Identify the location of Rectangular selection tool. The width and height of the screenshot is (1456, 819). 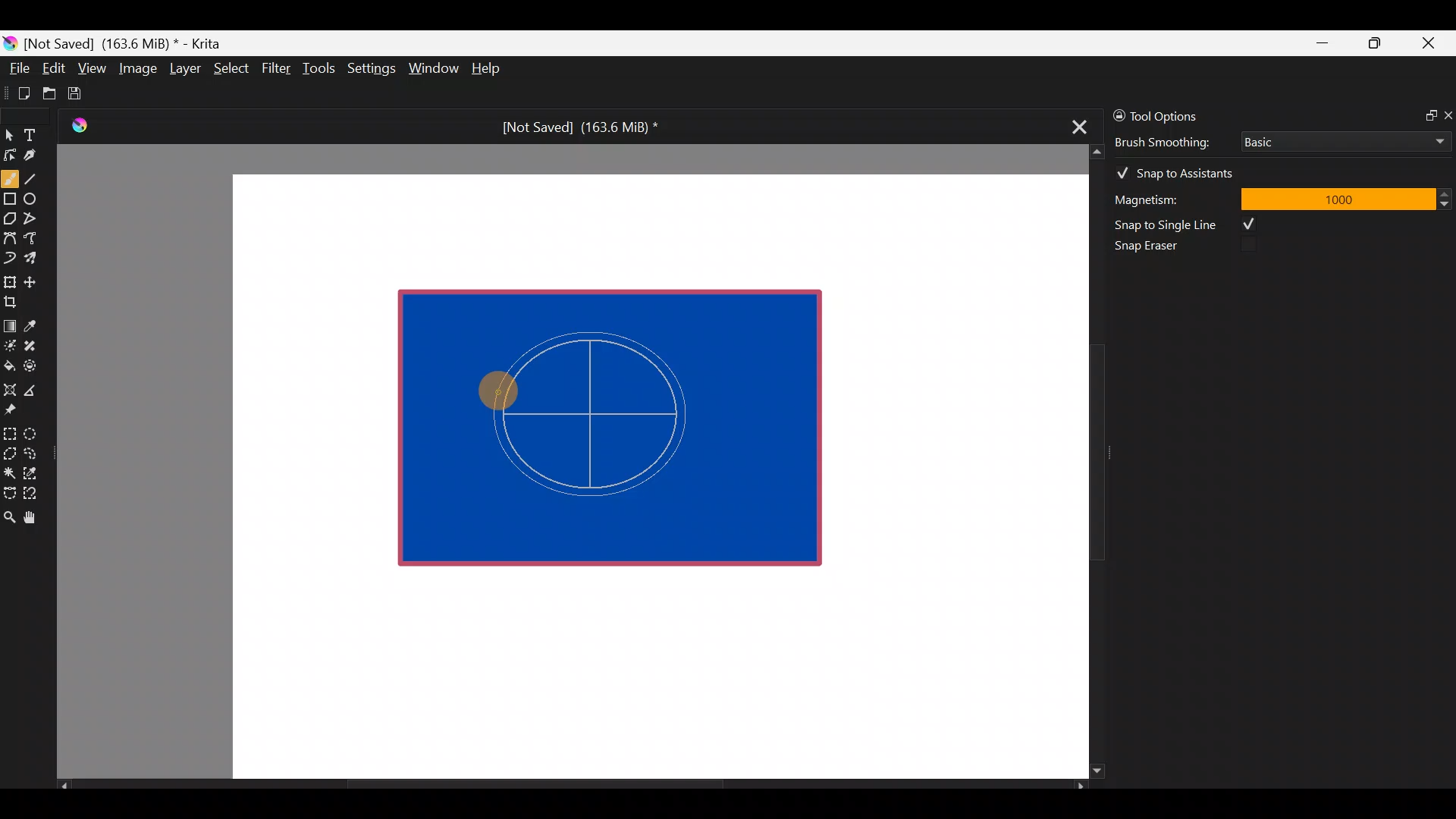
(13, 431).